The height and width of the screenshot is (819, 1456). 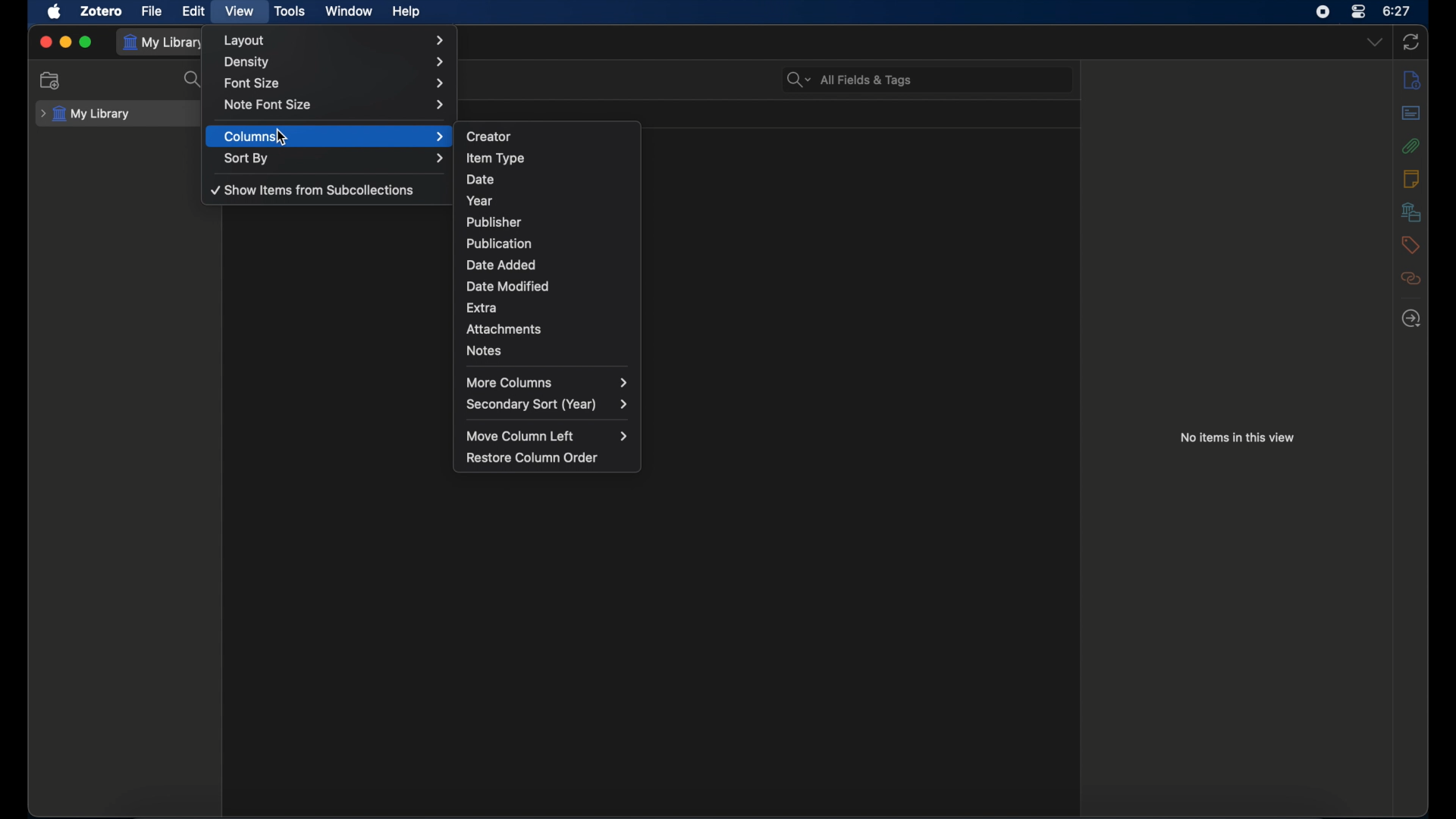 I want to click on maximize, so click(x=86, y=42).